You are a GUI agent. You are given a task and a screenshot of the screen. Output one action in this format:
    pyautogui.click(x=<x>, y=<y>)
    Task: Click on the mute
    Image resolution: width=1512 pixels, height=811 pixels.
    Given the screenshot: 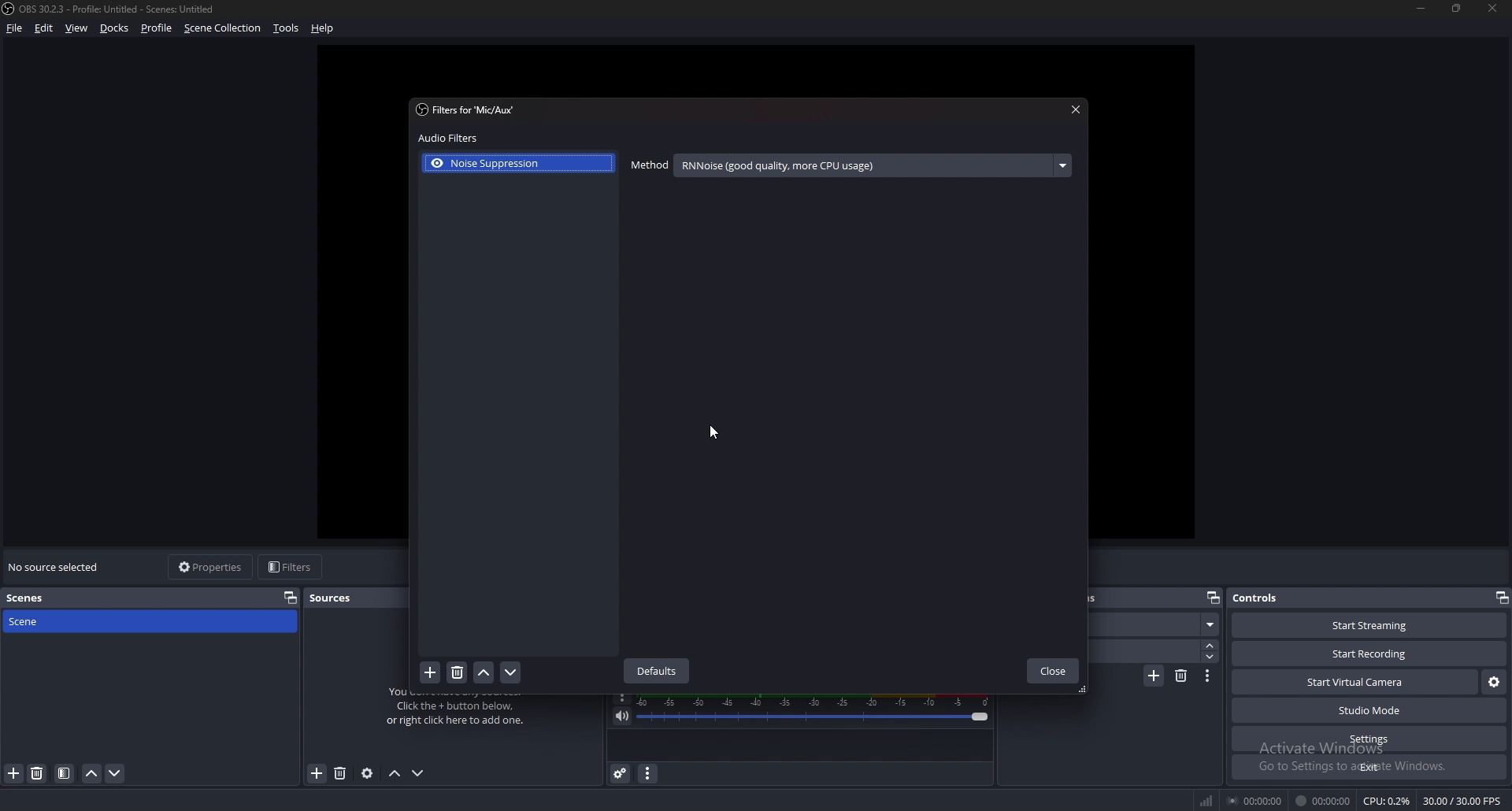 What is the action you would take?
    pyautogui.click(x=622, y=717)
    